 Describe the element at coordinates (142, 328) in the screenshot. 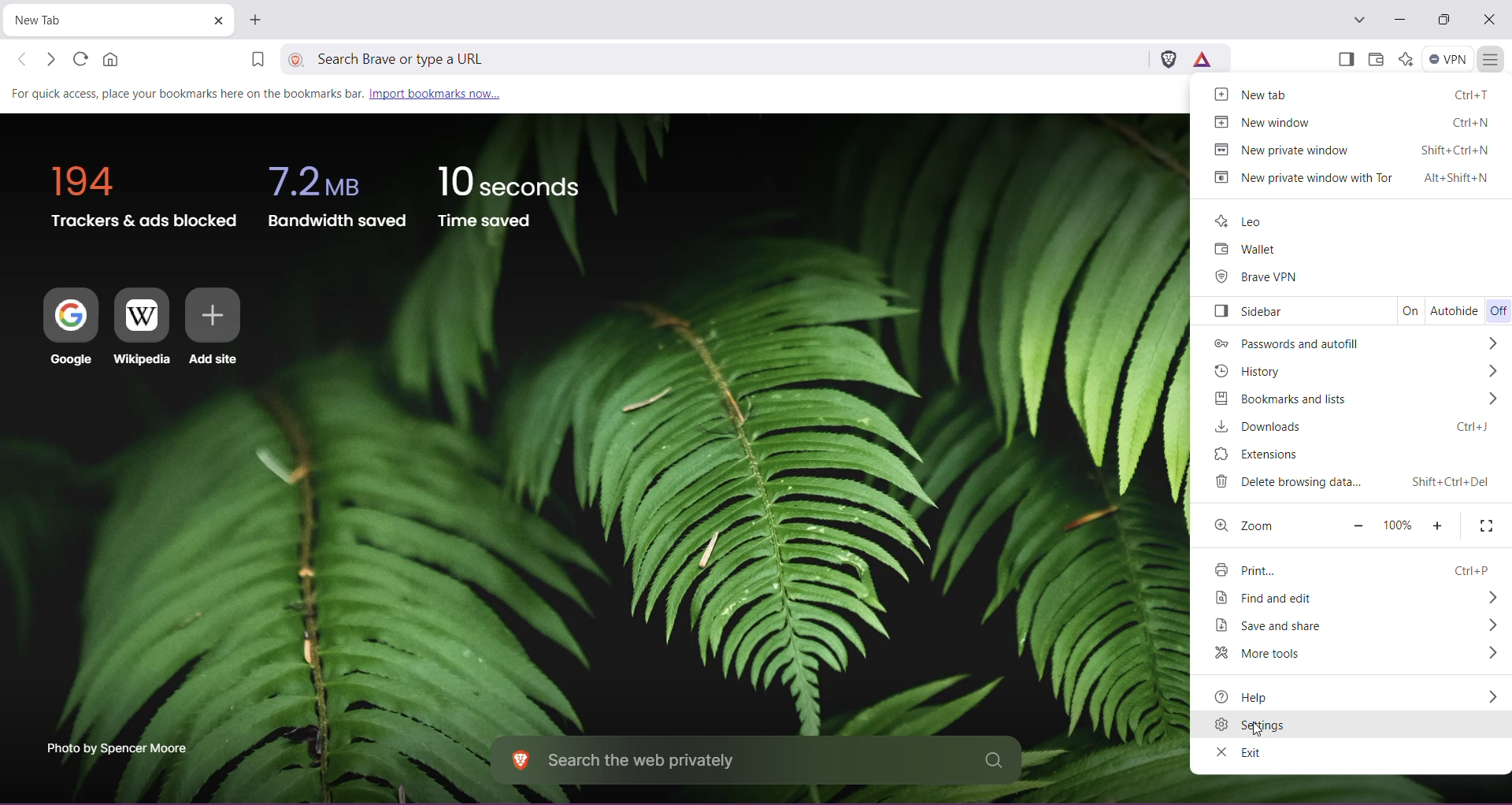

I see `Wikipedia` at that location.